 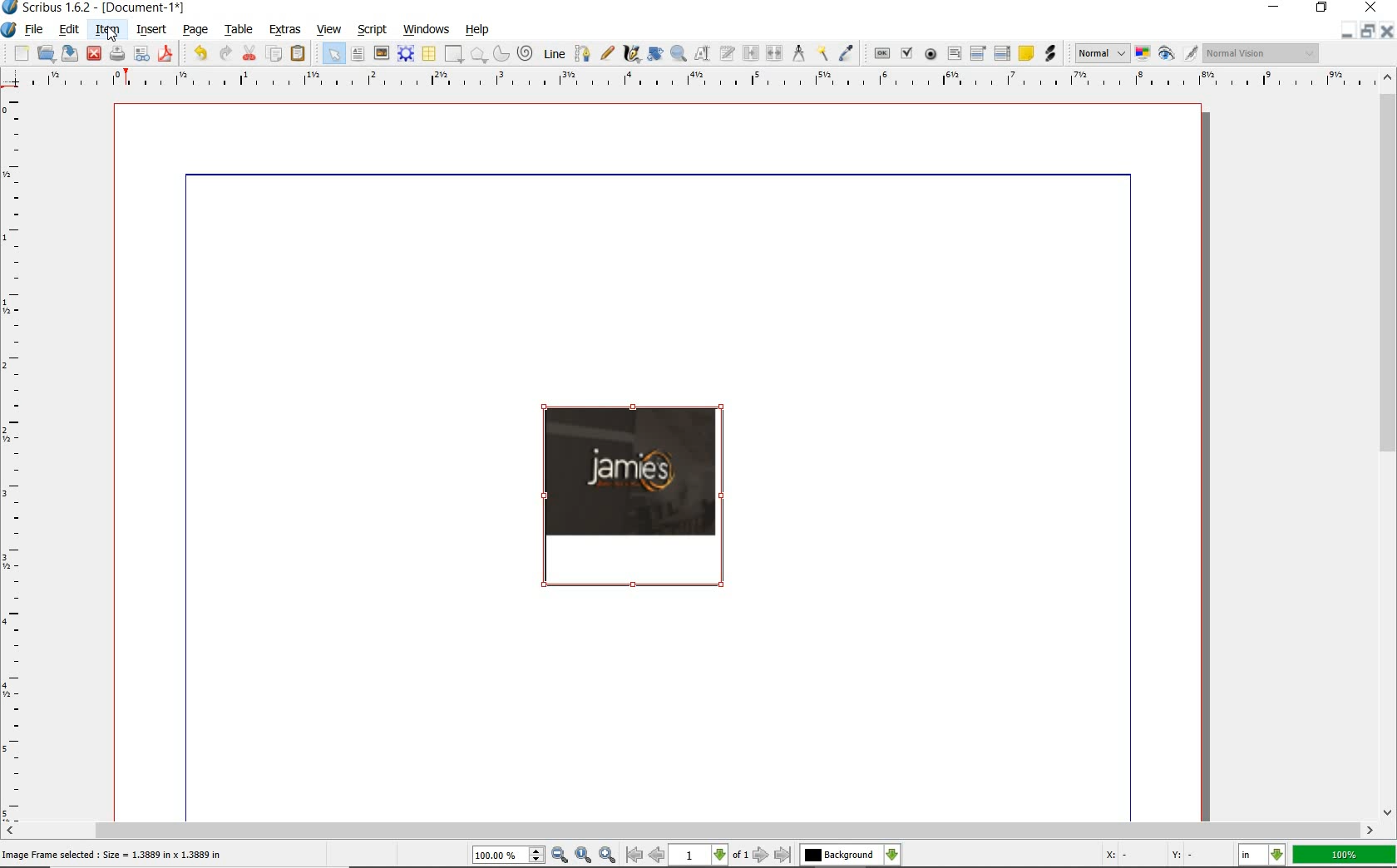 What do you see at coordinates (753, 52) in the screenshot?
I see `link text frames` at bounding box center [753, 52].